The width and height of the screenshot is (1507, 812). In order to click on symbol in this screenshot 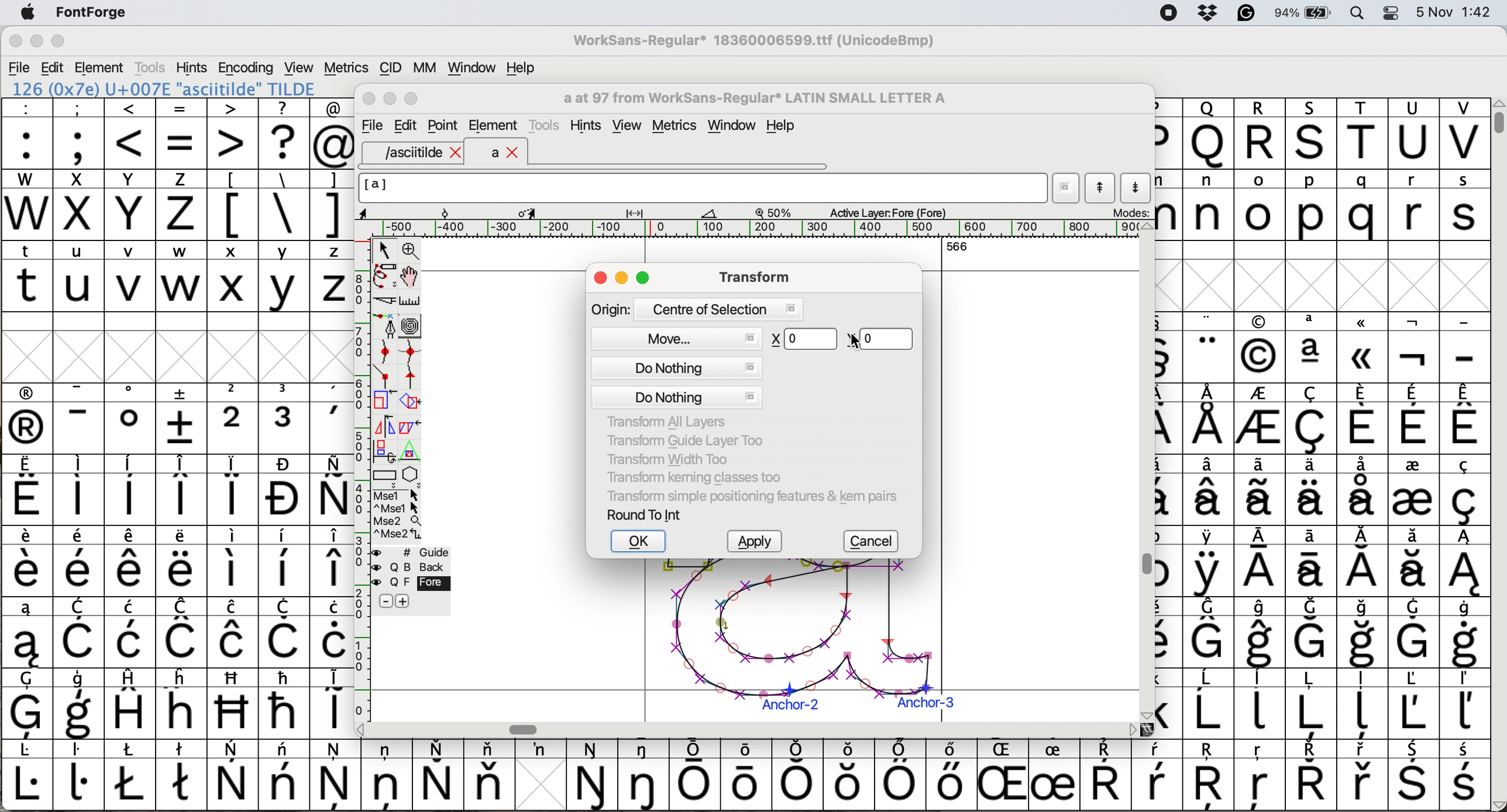, I will do `click(1364, 776)`.